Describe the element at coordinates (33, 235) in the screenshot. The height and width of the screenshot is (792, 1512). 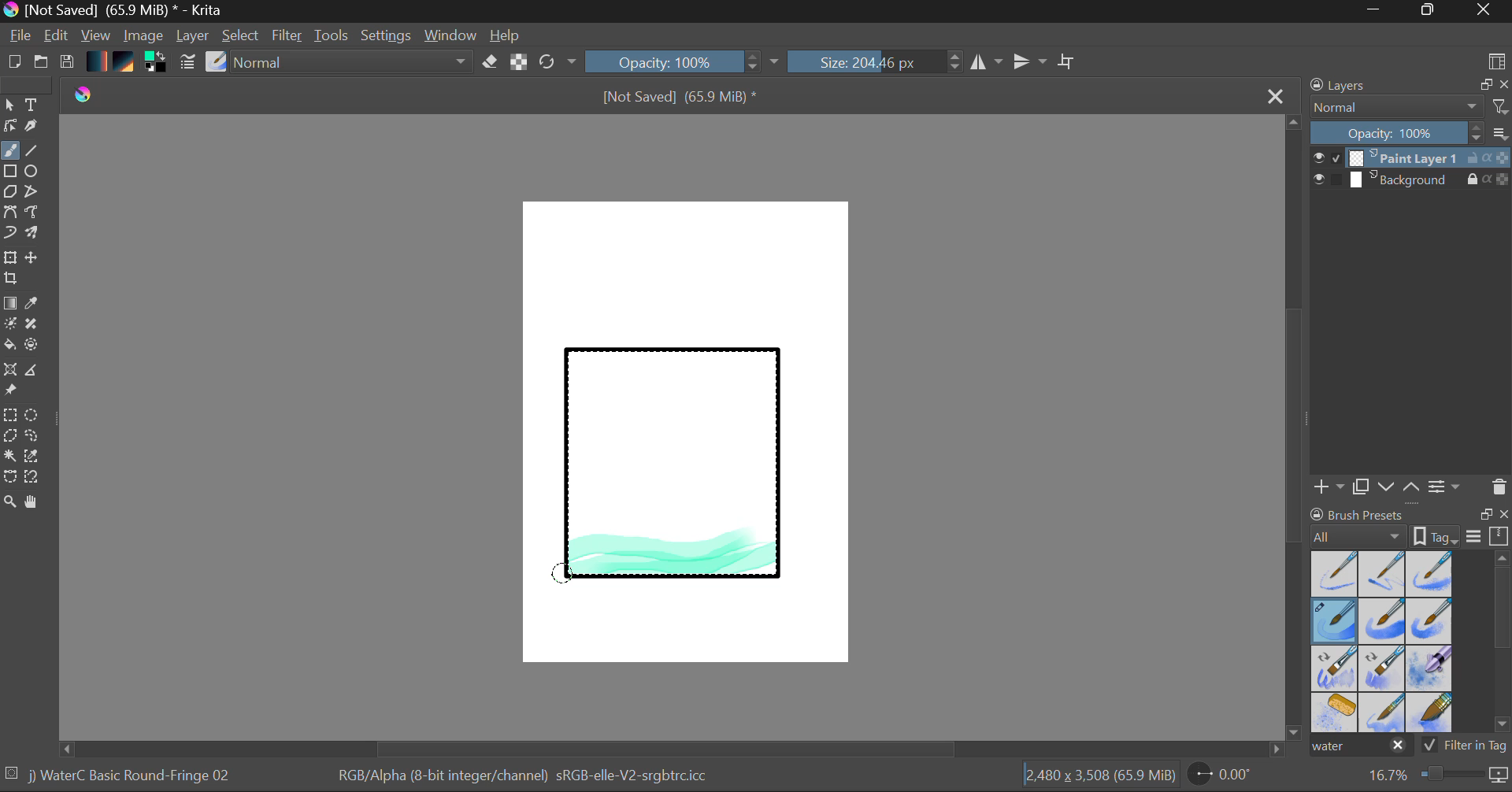
I see `Multibrush Tool` at that location.